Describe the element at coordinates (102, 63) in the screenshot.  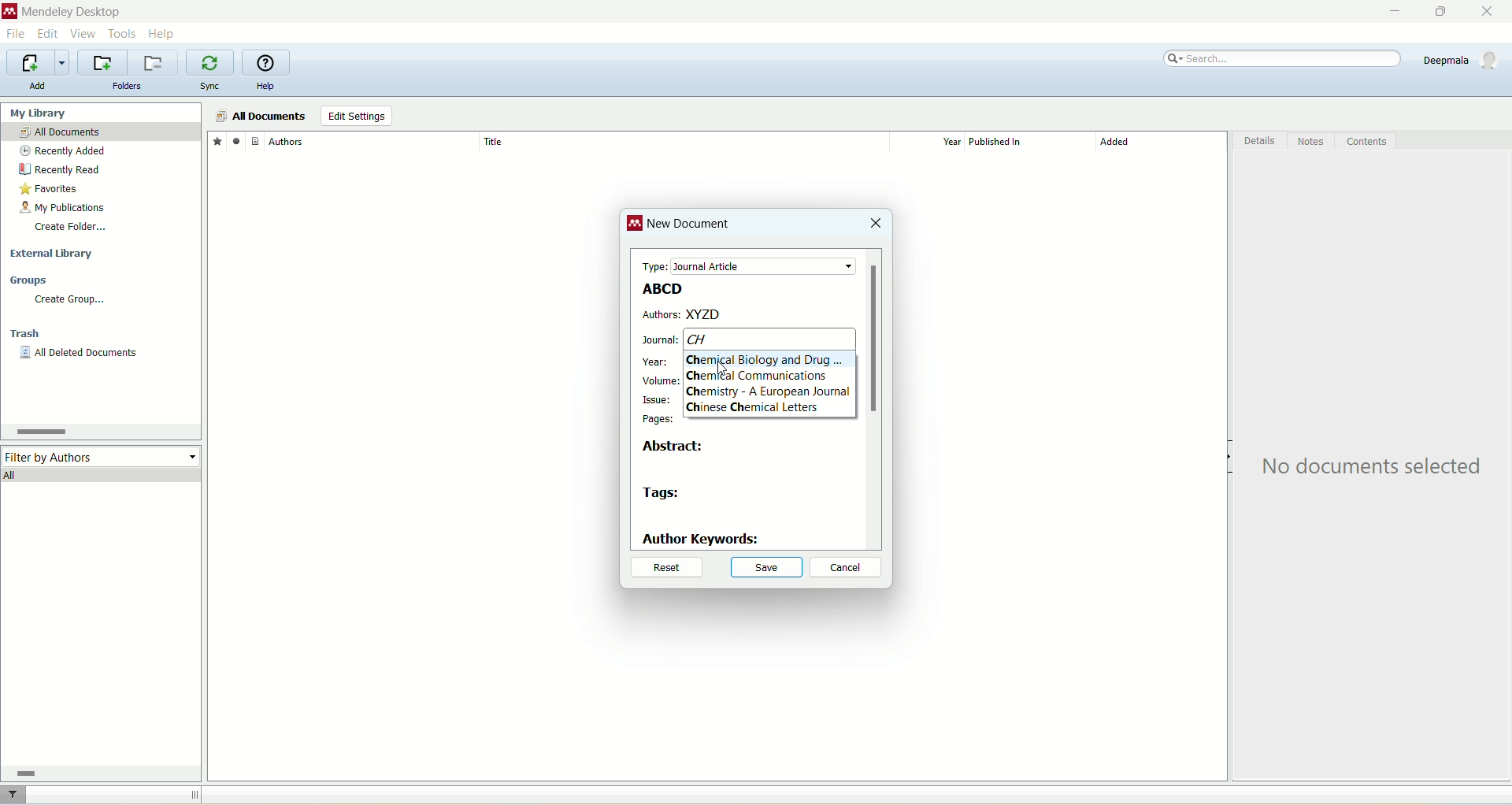
I see `create a new folder` at that location.